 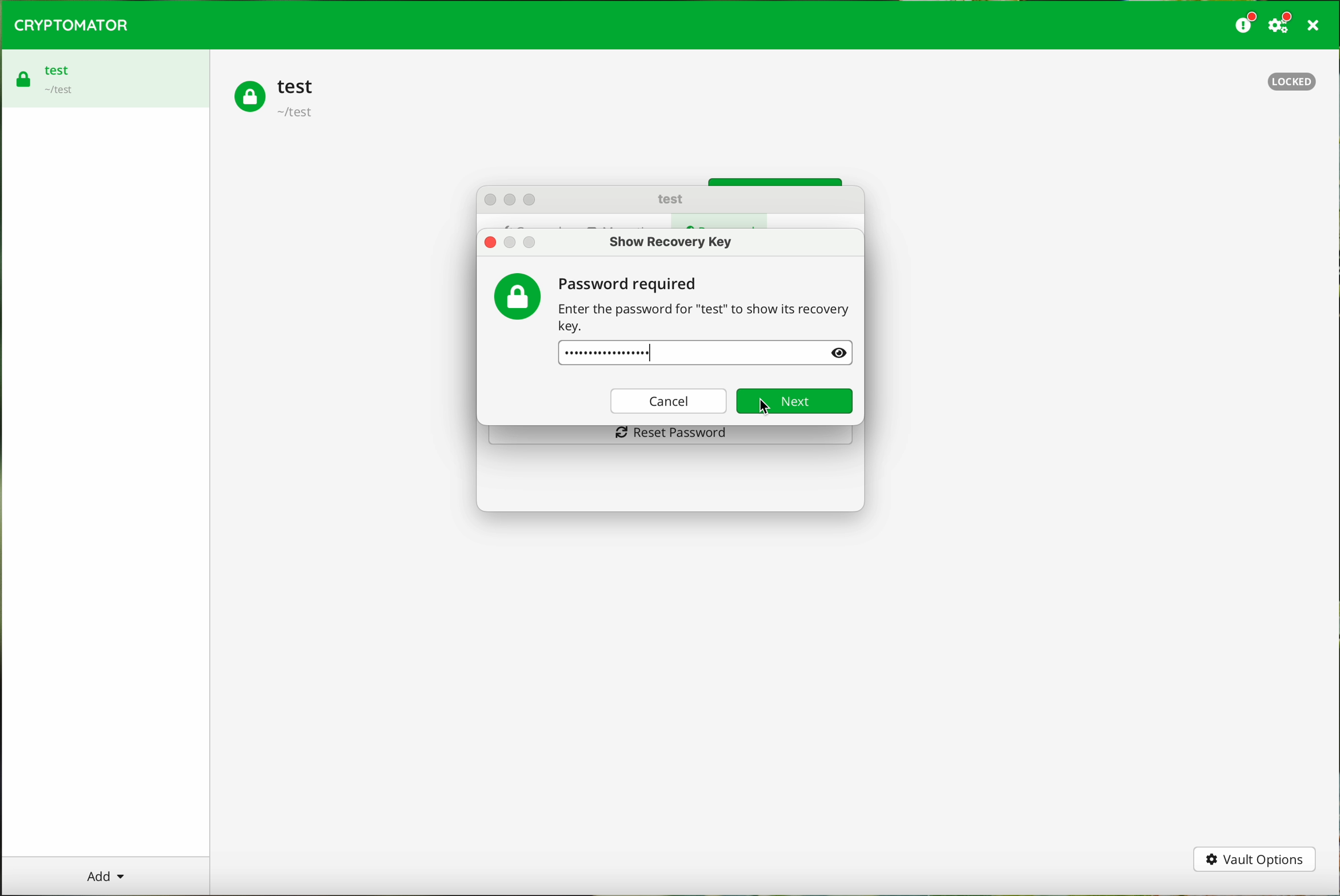 What do you see at coordinates (771, 405) in the screenshot?
I see `cursor` at bounding box center [771, 405].